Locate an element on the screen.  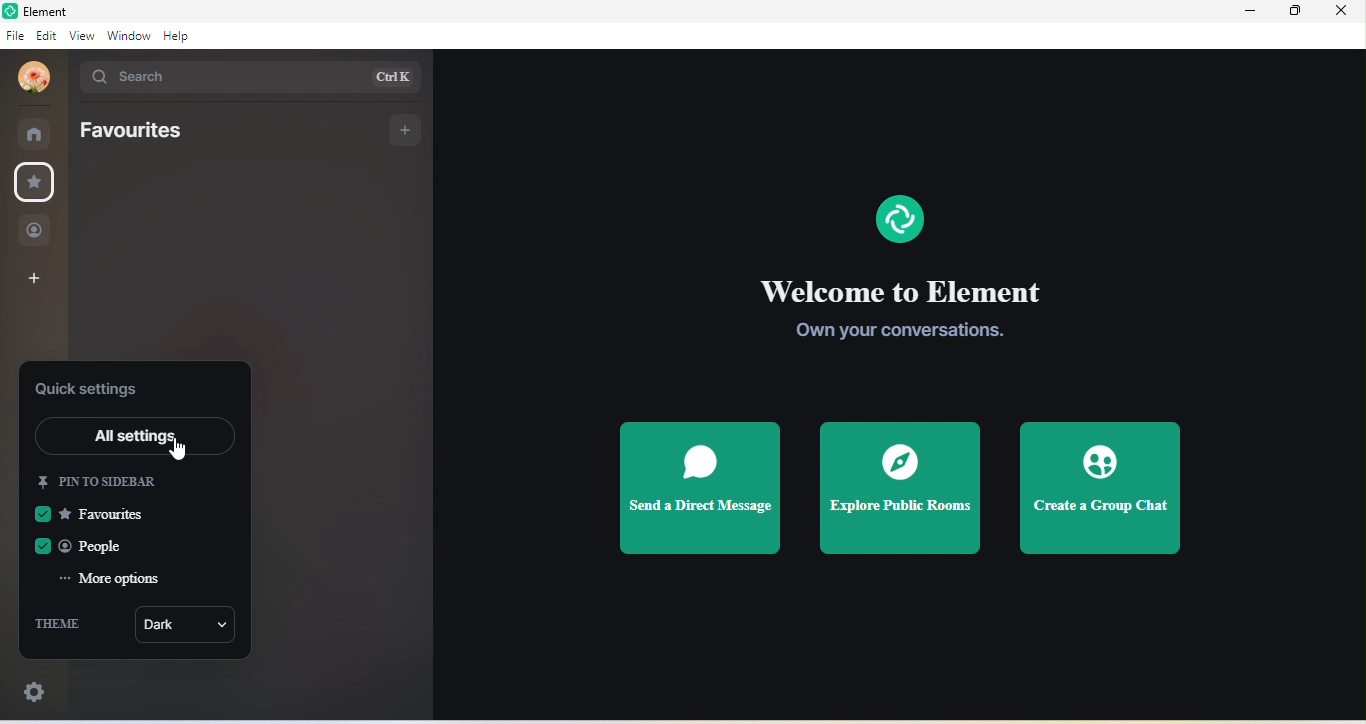
cursor movement is located at coordinates (187, 453).